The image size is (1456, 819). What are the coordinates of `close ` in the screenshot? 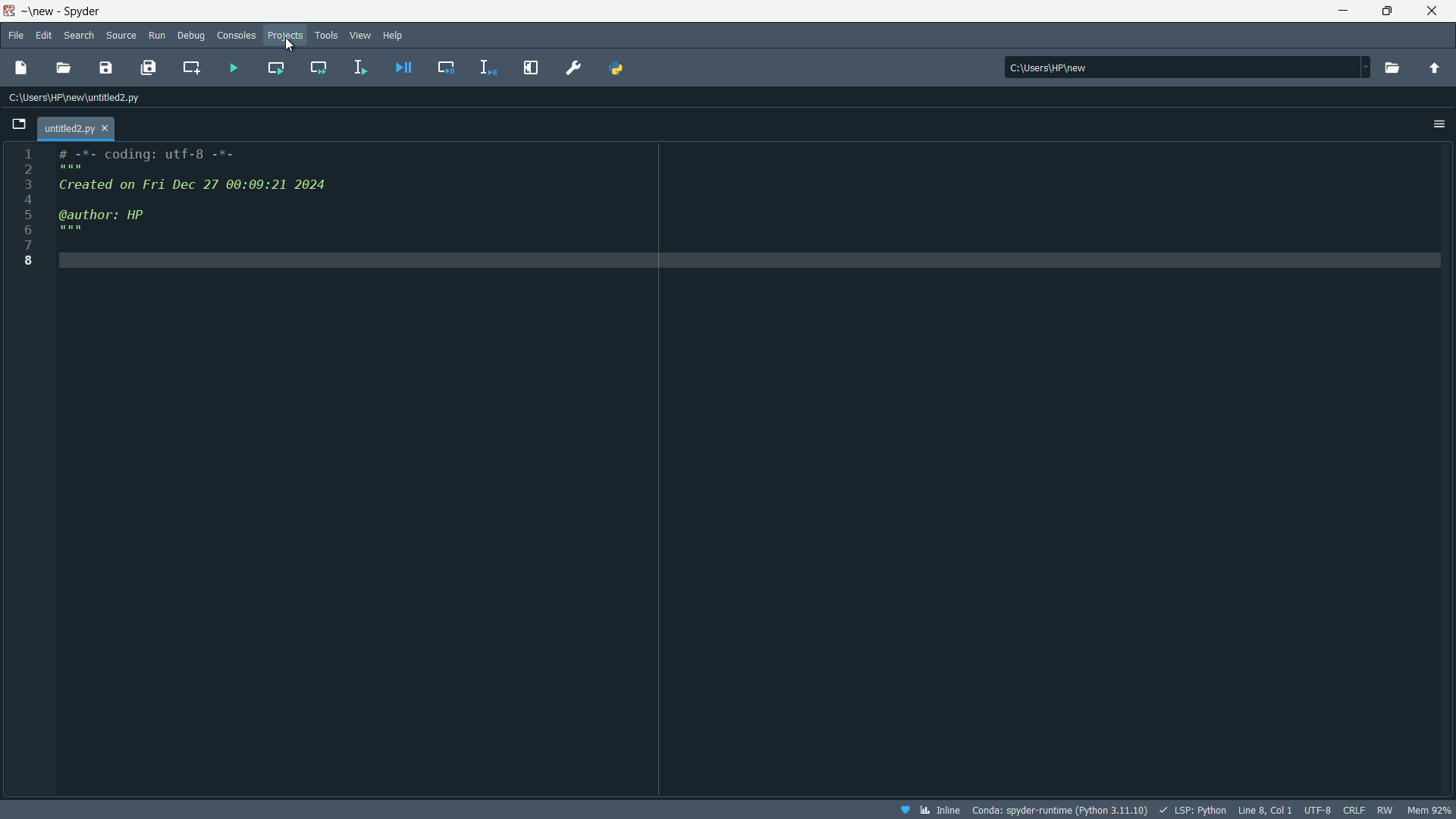 It's located at (1432, 10).